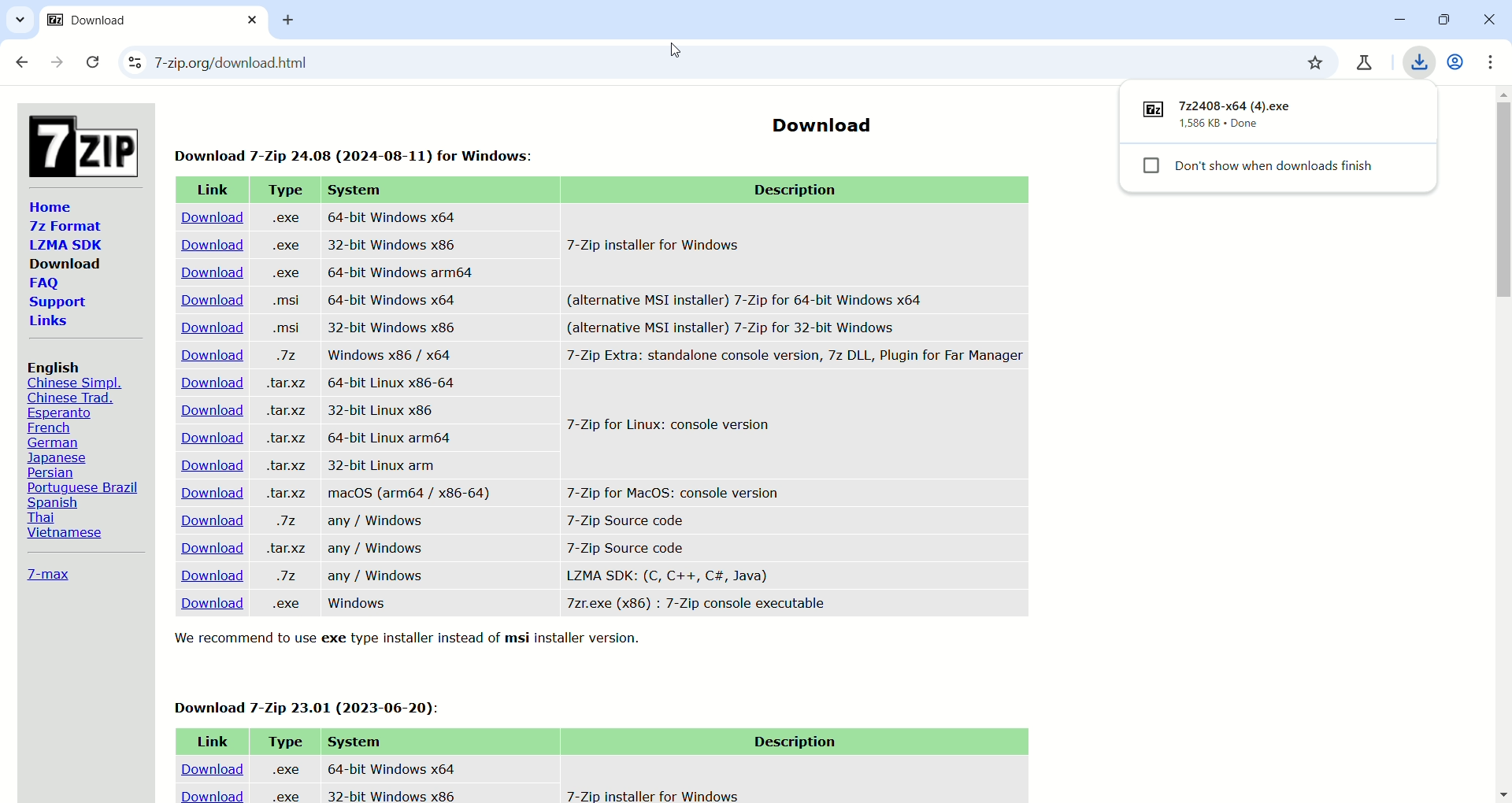 This screenshot has height=803, width=1512. What do you see at coordinates (58, 65) in the screenshot?
I see `go forward` at bounding box center [58, 65].